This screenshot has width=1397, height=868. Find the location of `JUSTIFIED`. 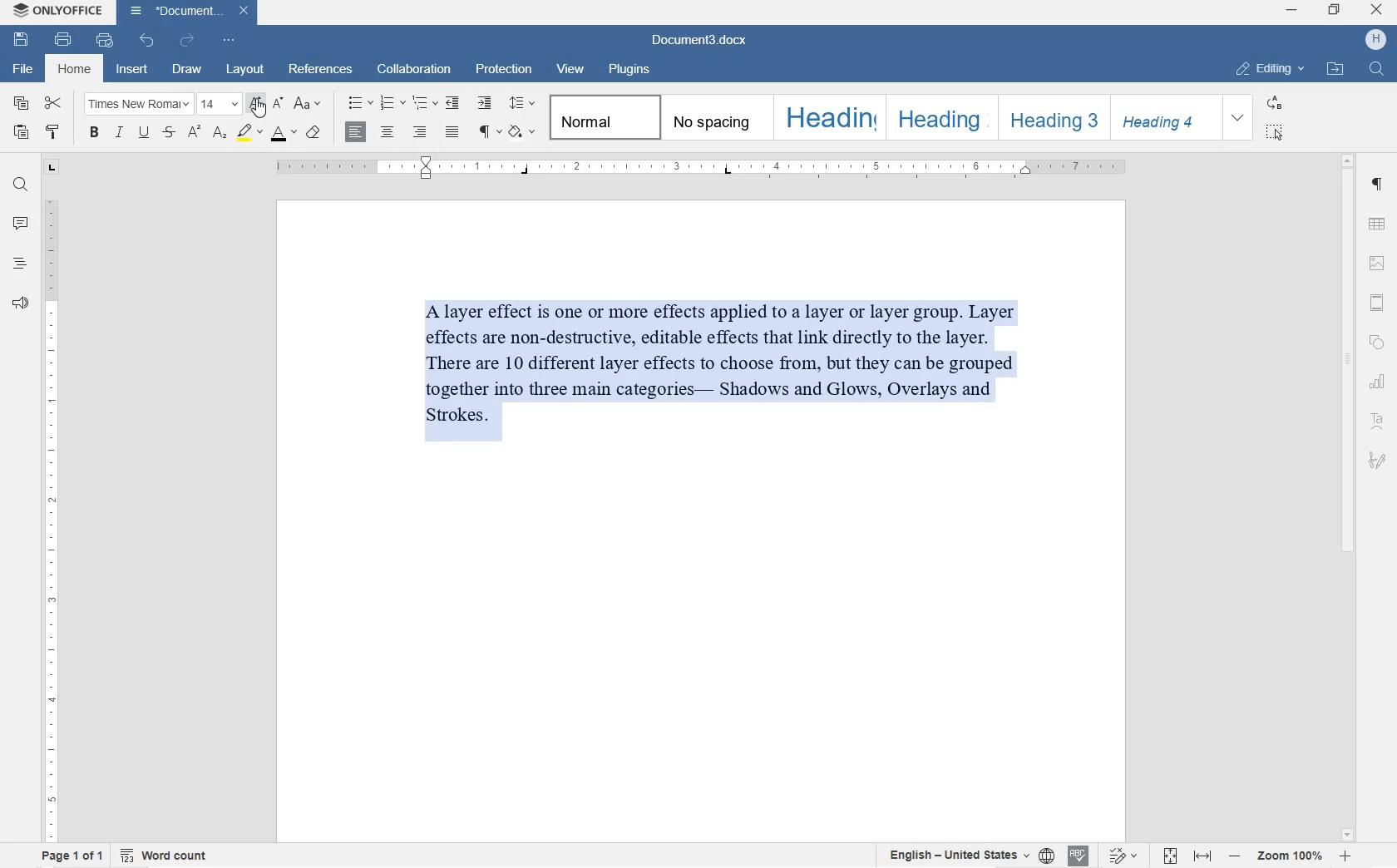

JUSTIFIED is located at coordinates (453, 131).